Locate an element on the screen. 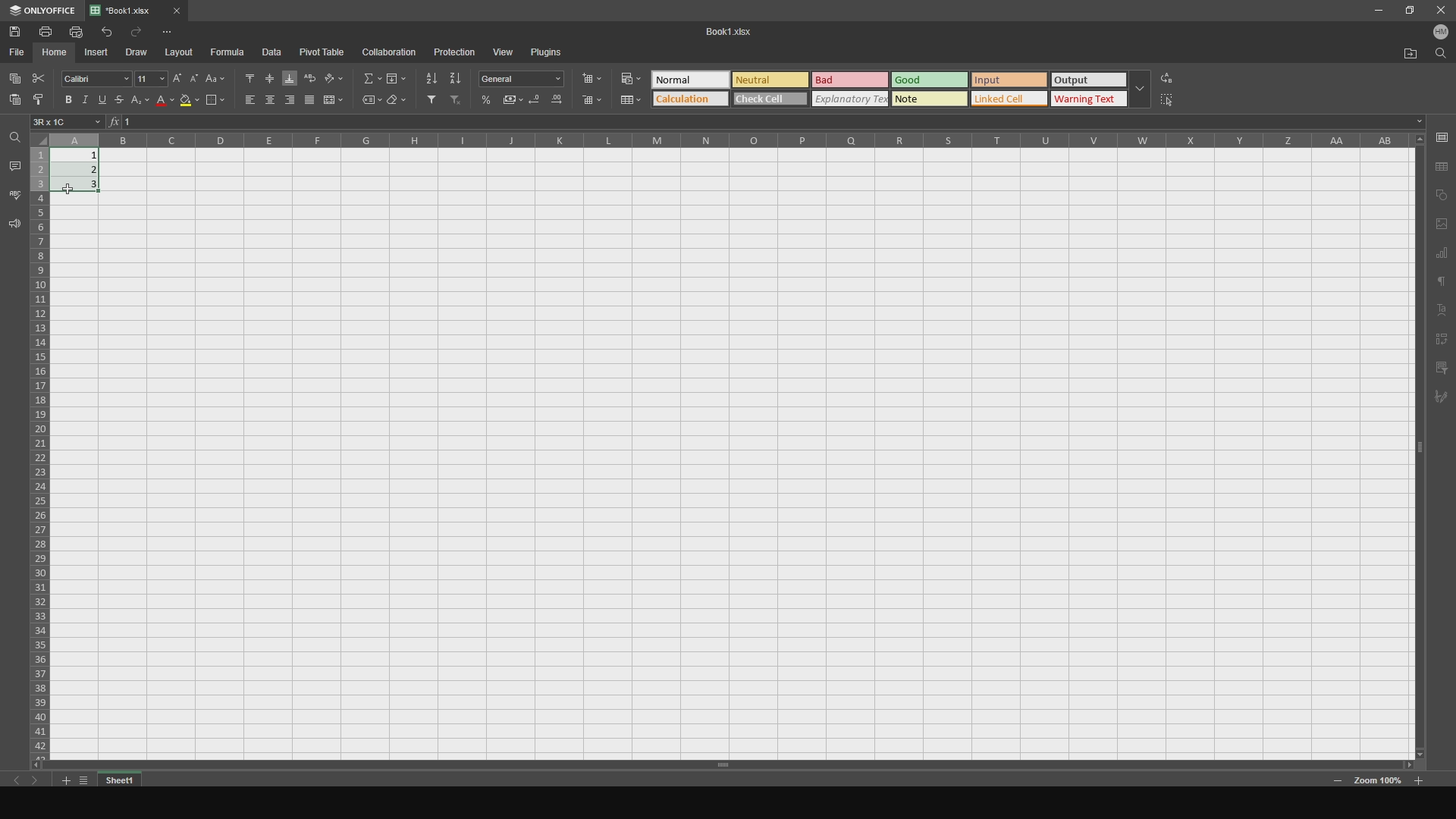 The image size is (1456, 819). draw is located at coordinates (141, 52).